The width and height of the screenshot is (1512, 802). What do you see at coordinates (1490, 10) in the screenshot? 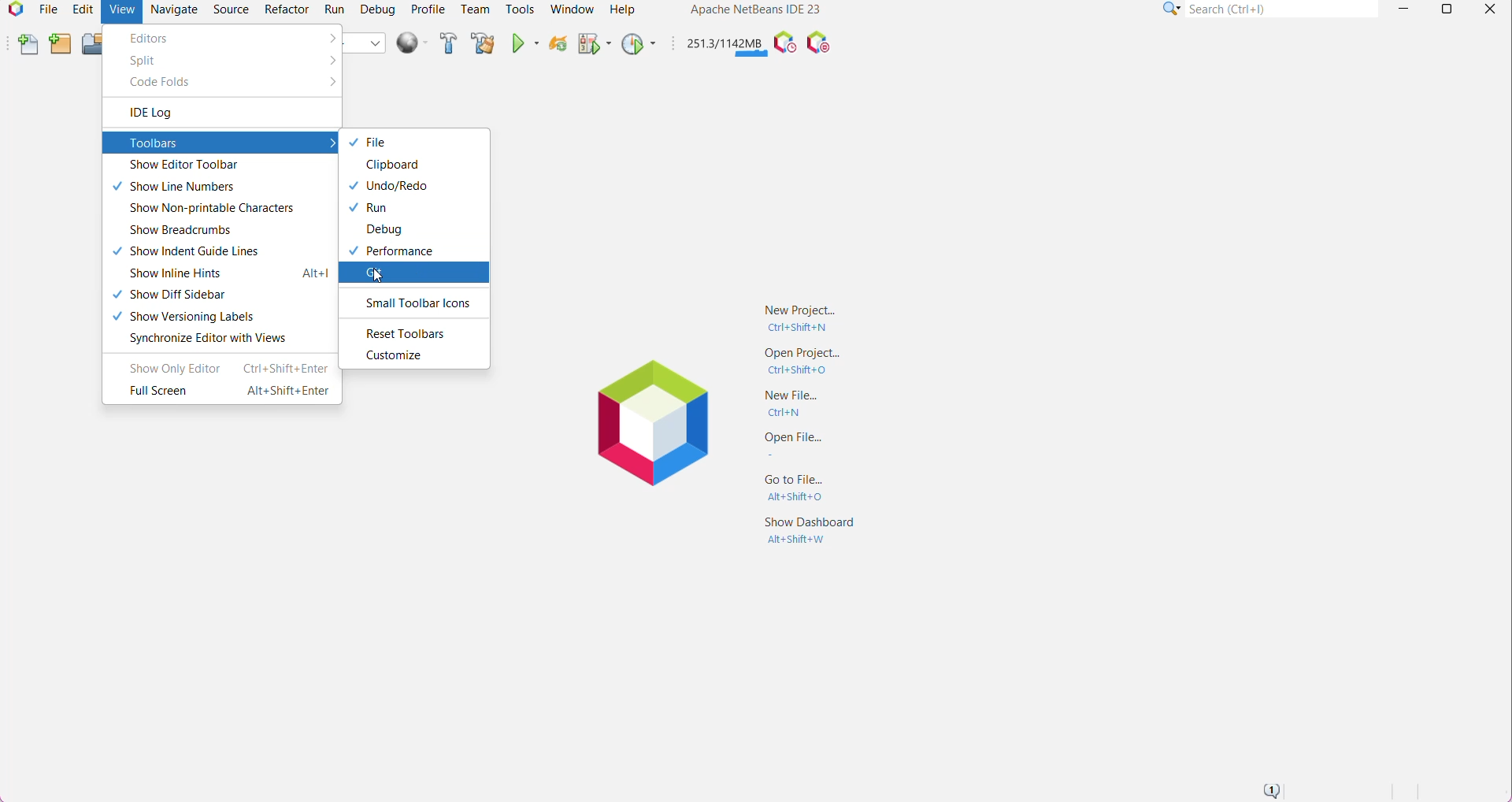
I see `Close` at bounding box center [1490, 10].